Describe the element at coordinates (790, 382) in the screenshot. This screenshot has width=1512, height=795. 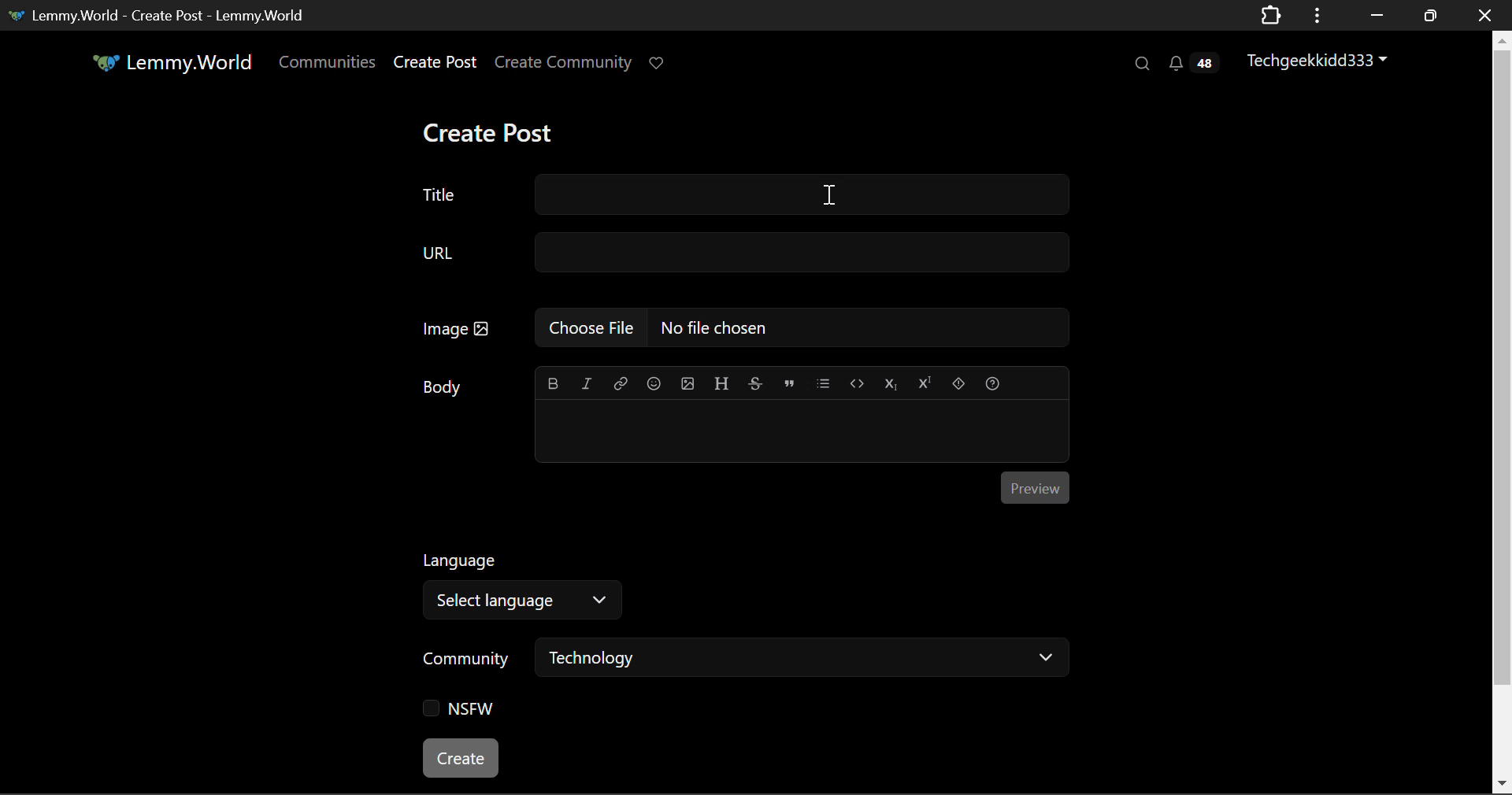
I see `quote` at that location.